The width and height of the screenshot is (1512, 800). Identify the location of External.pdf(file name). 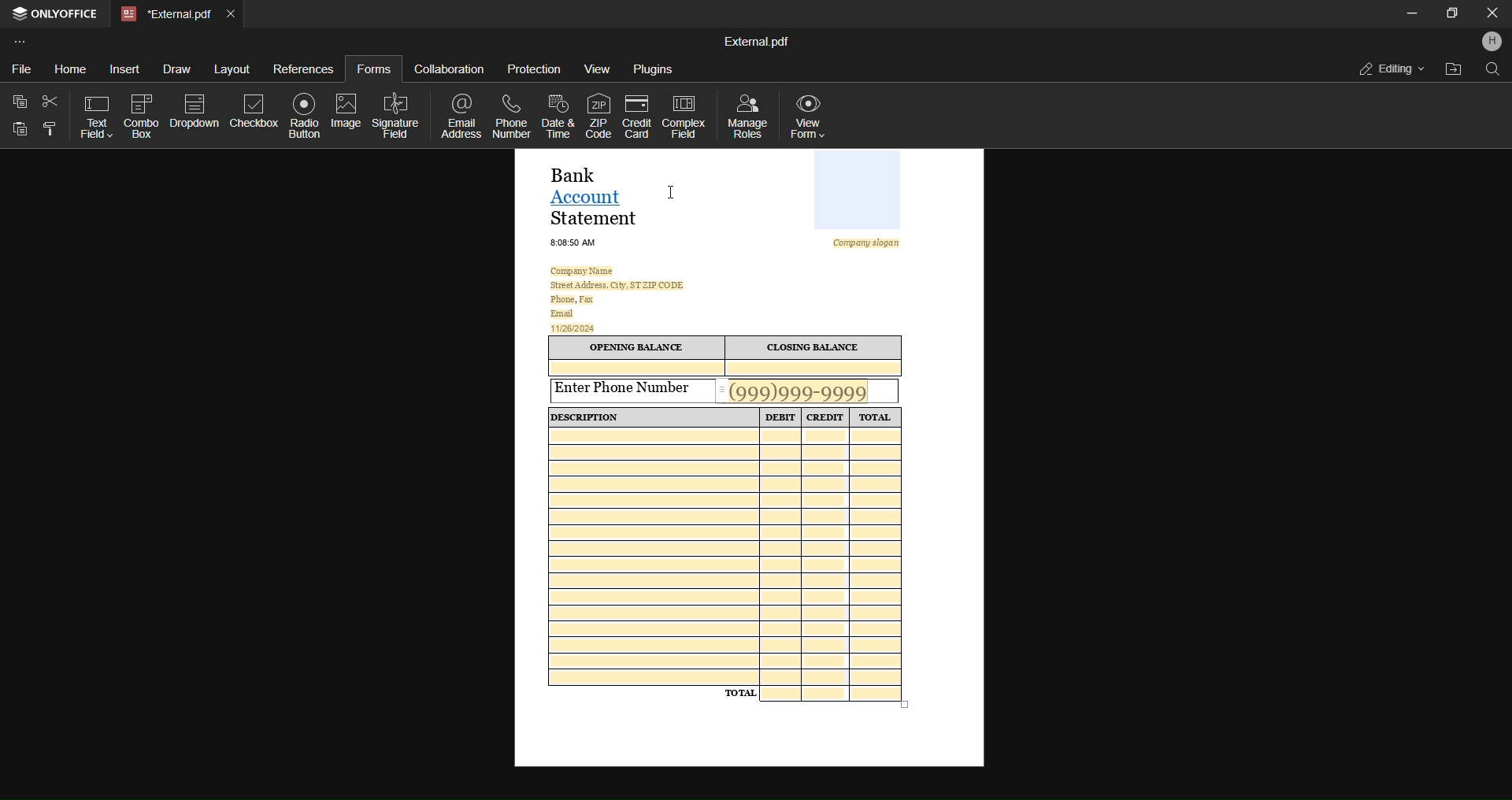
(759, 40).